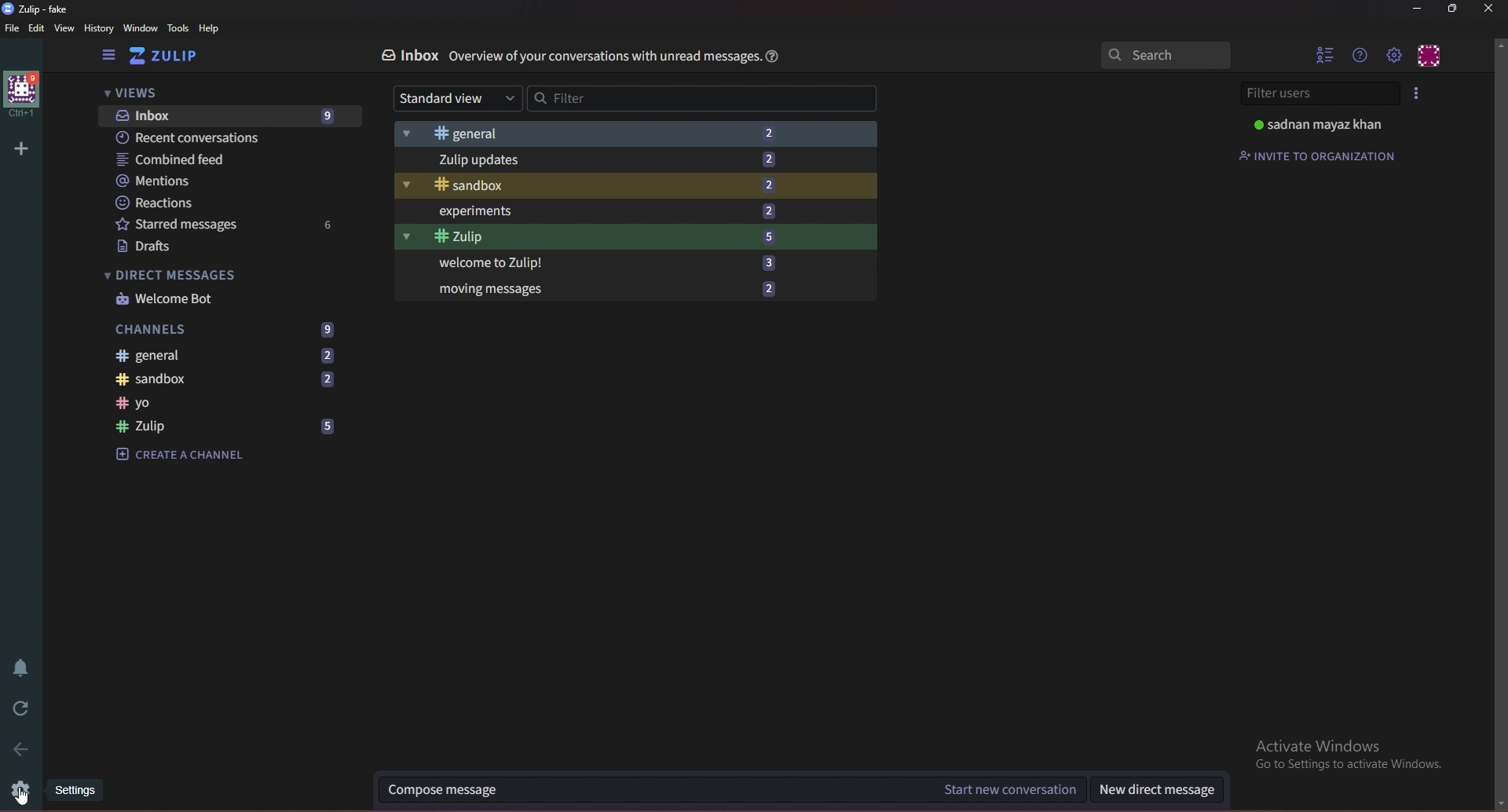 This screenshot has width=1508, height=812. What do you see at coordinates (186, 455) in the screenshot?
I see `Create a channel` at bounding box center [186, 455].